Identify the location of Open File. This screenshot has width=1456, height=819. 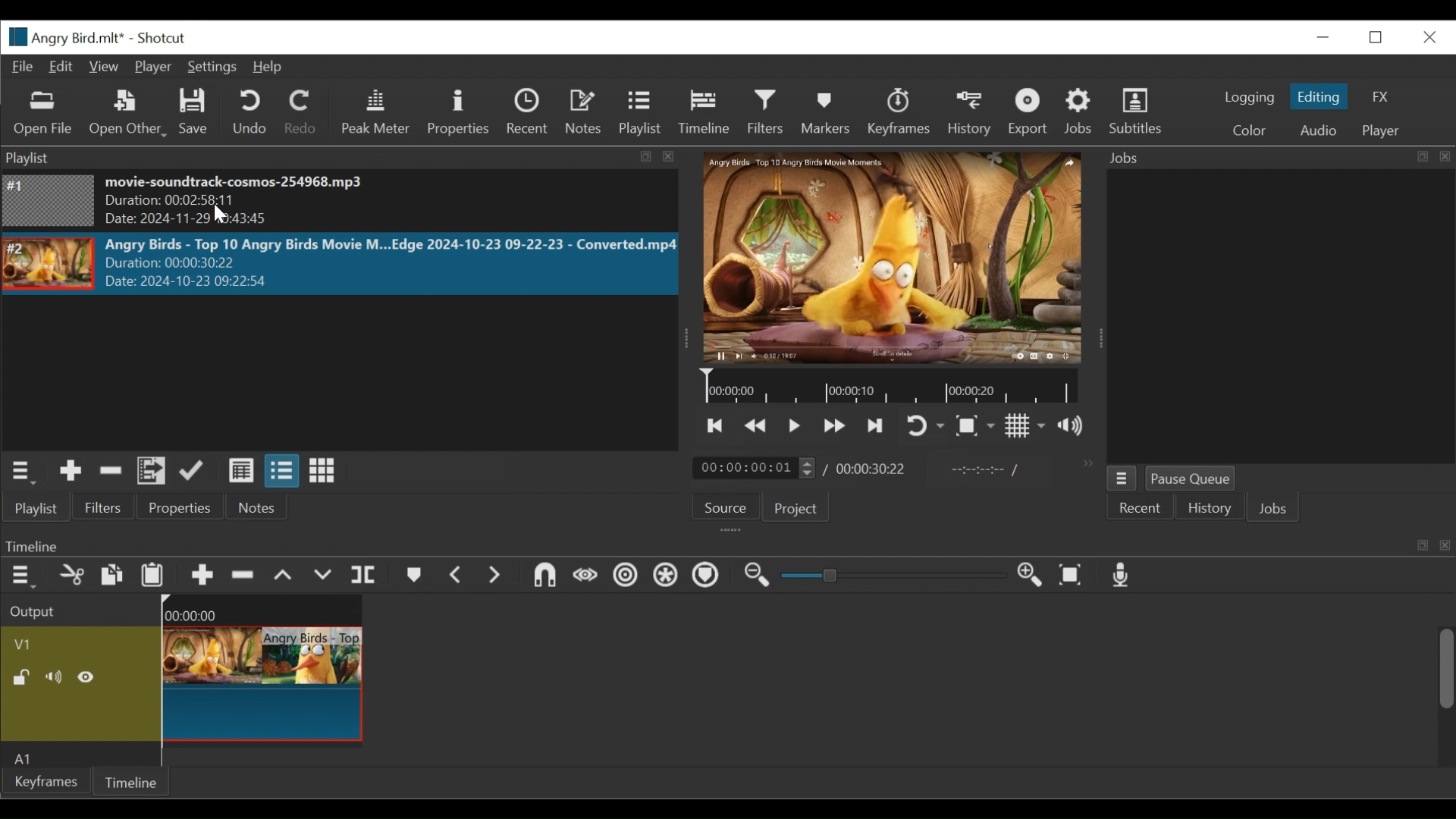
(40, 114).